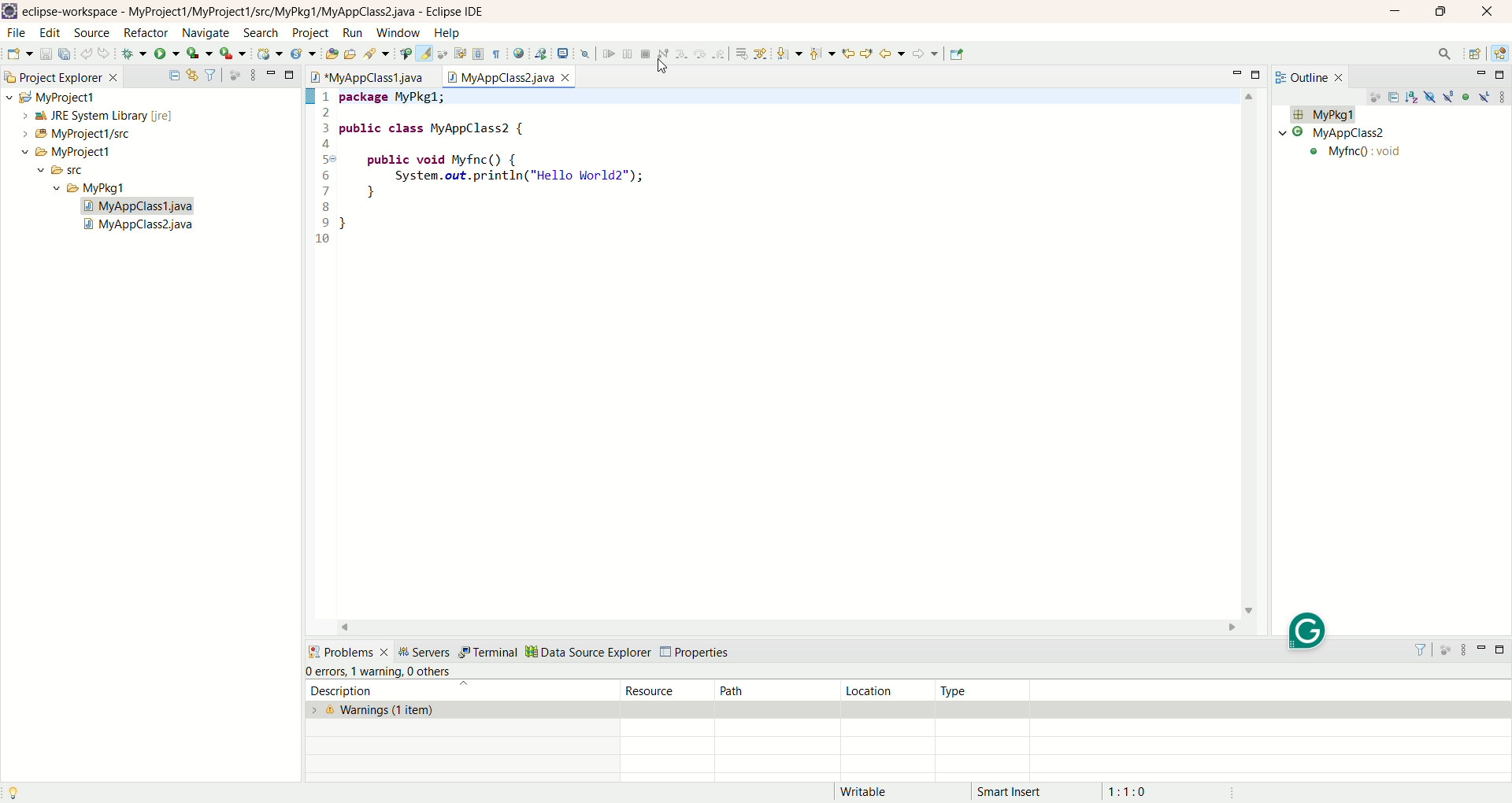 The image size is (1512, 803). I want to click on skip the breakpoints, so click(586, 55).